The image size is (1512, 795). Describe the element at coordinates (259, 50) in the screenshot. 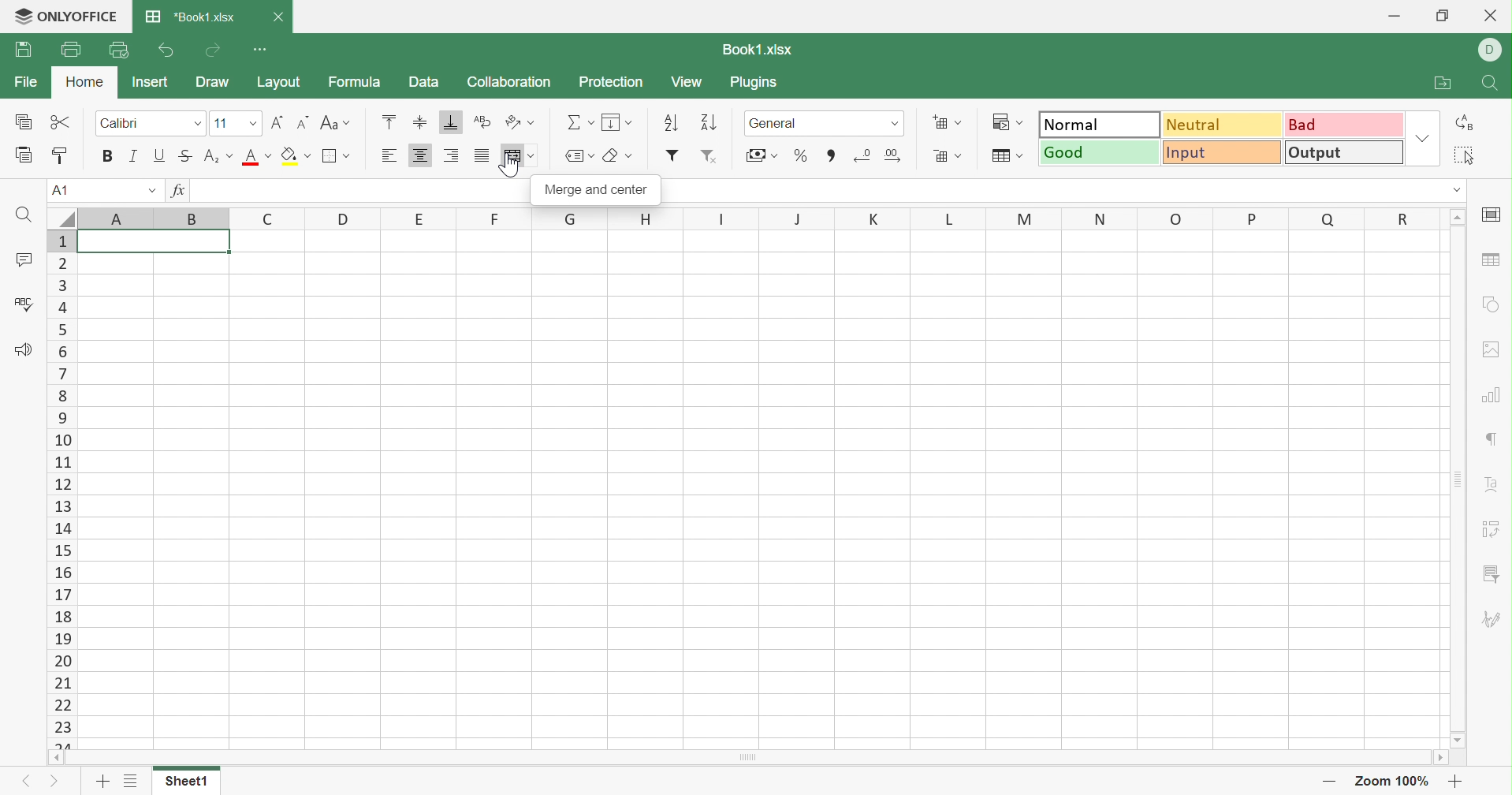

I see `Customize Quick Access Toolbar` at that location.